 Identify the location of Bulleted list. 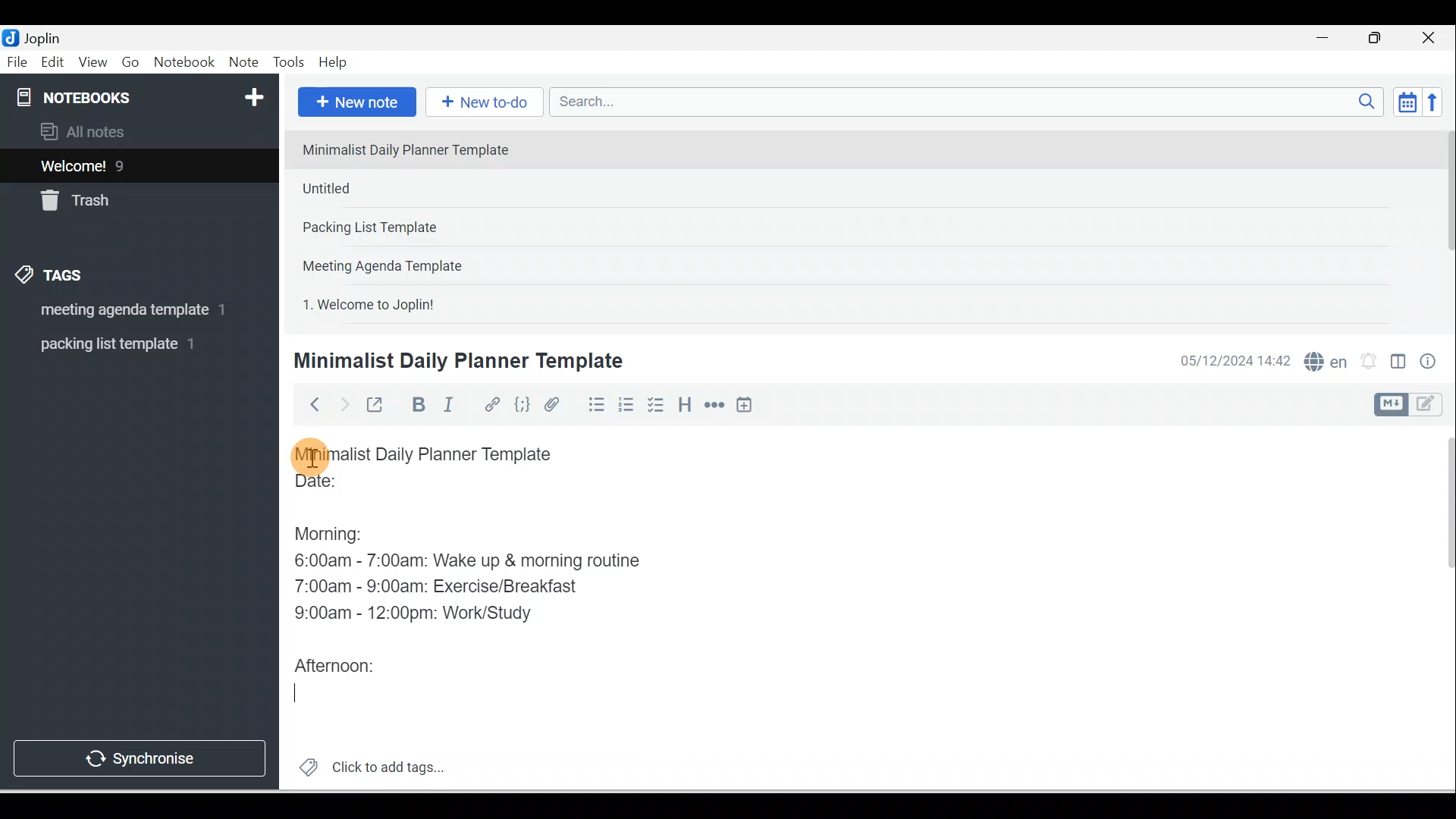
(593, 404).